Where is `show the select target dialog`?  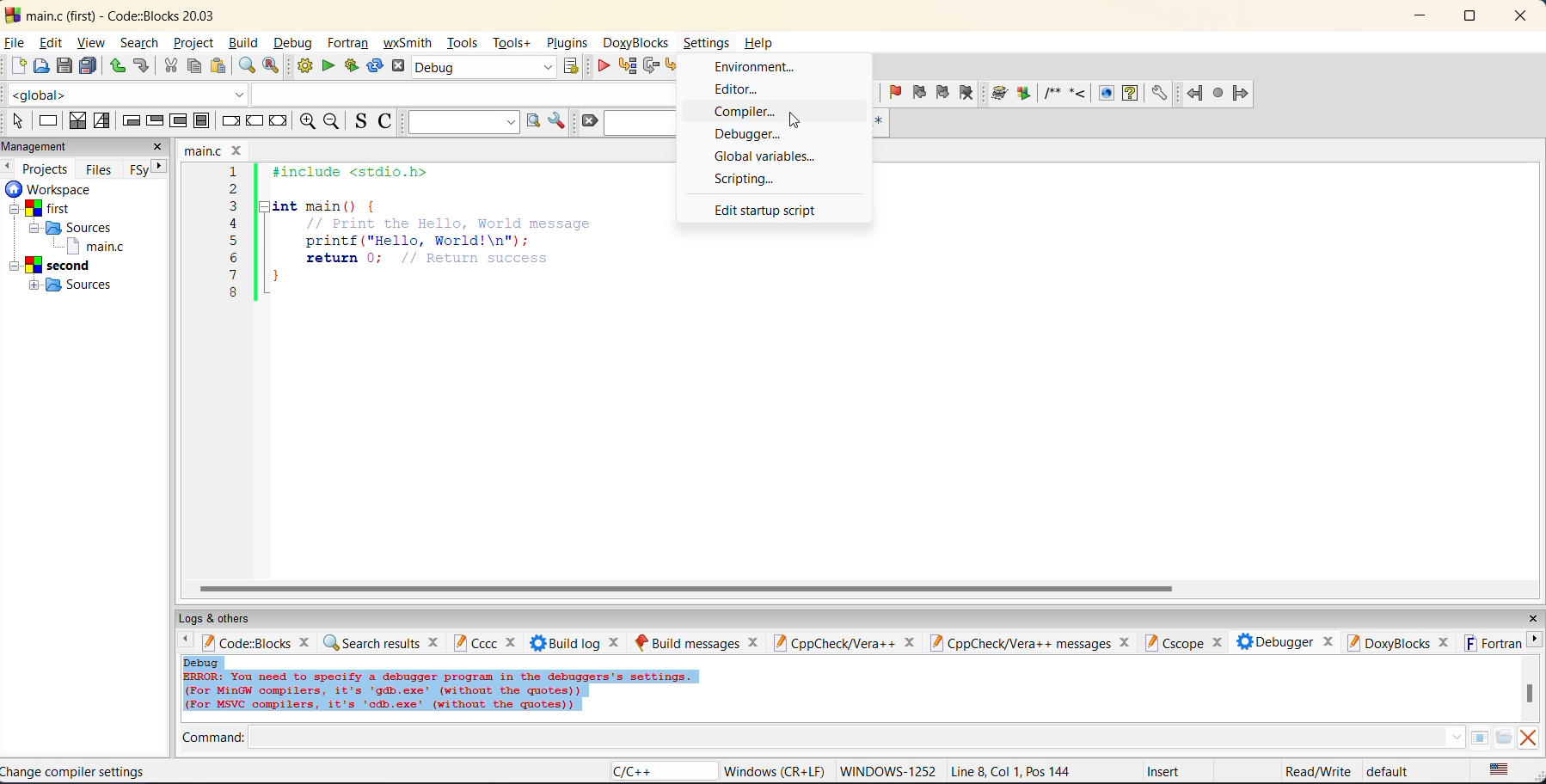 show the select target dialog is located at coordinates (570, 66).